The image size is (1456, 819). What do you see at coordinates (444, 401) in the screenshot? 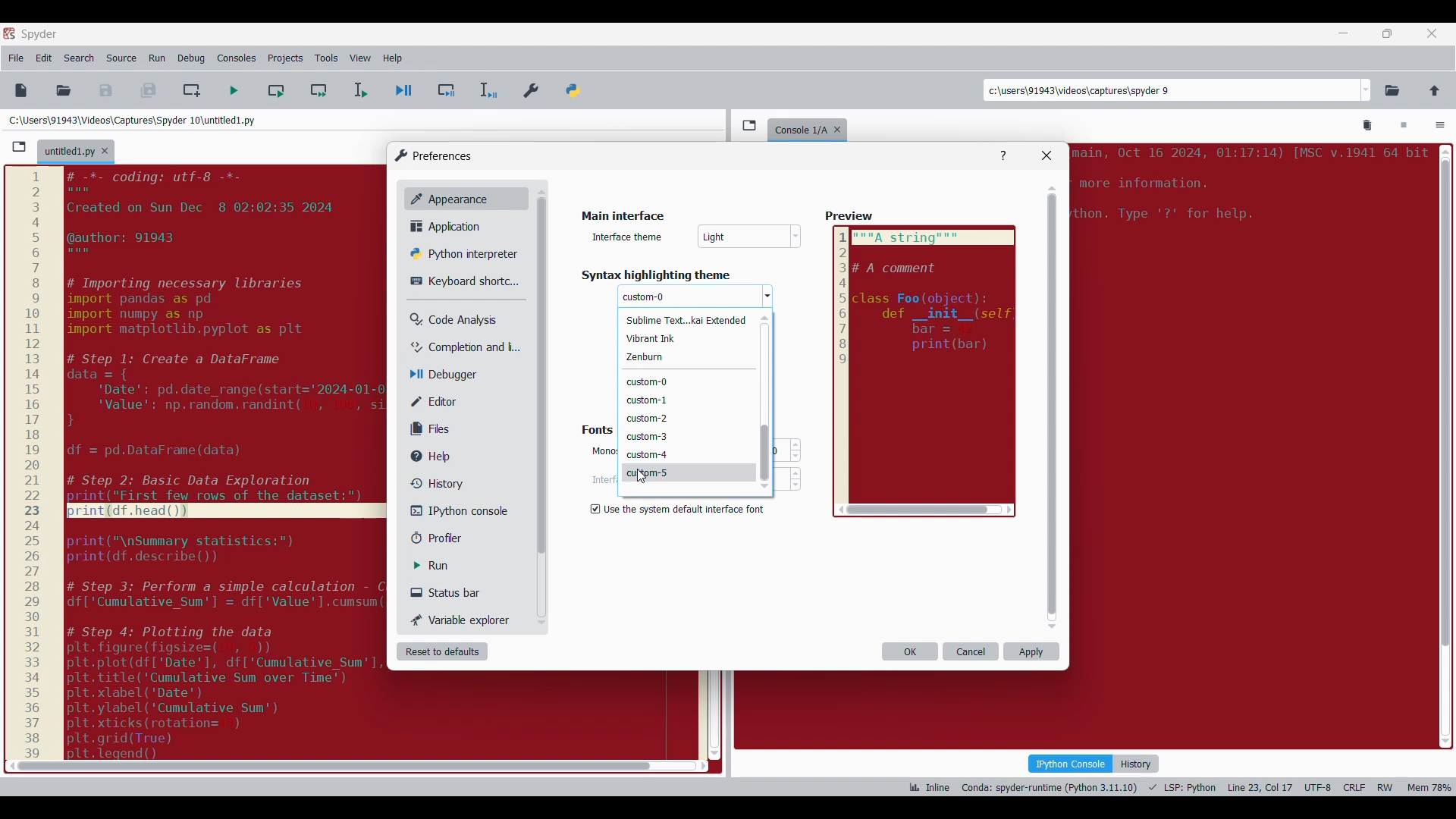
I see `Editor` at bounding box center [444, 401].